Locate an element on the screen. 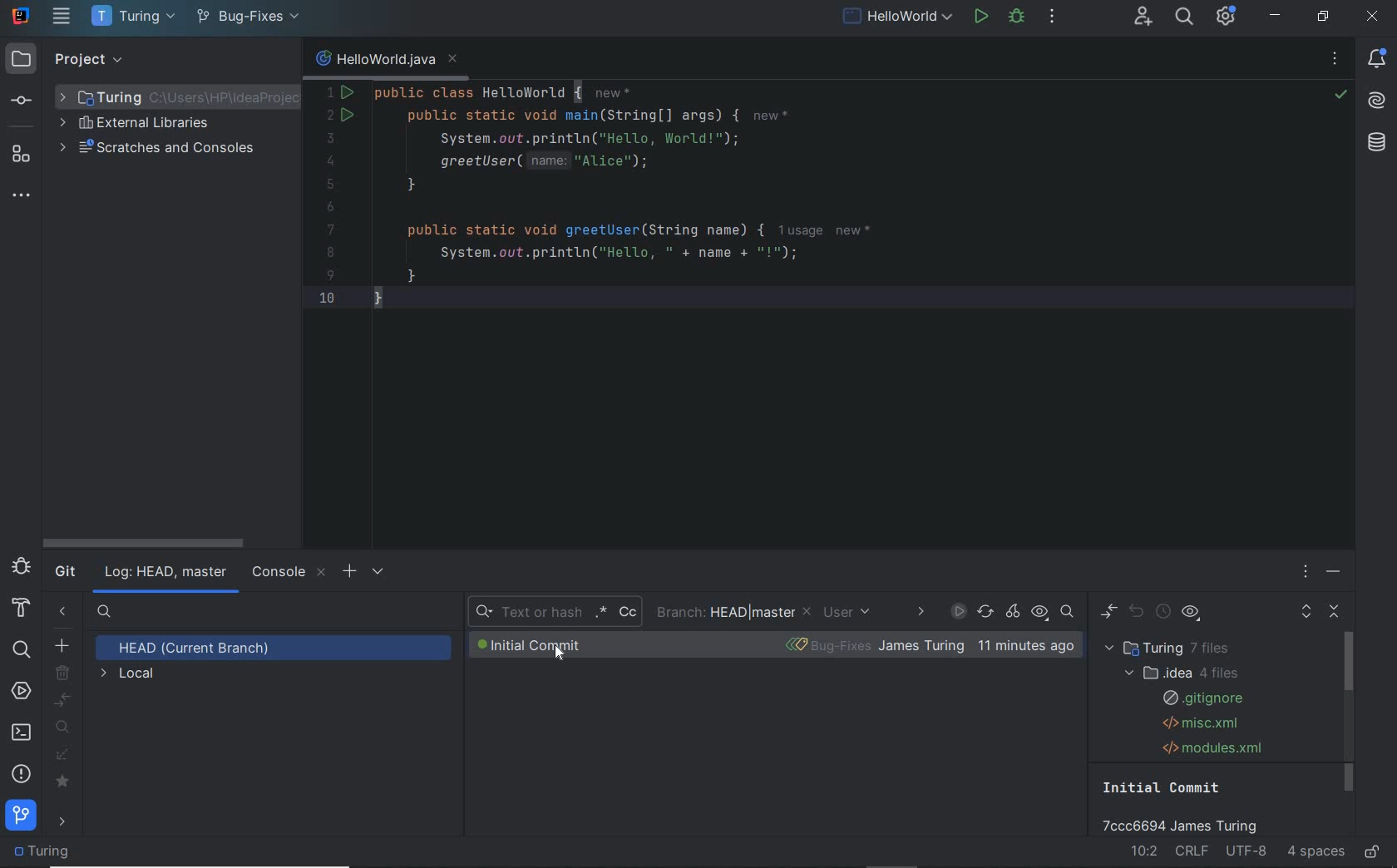 This screenshot has height=868, width=1397. more tool windows is located at coordinates (22, 196).